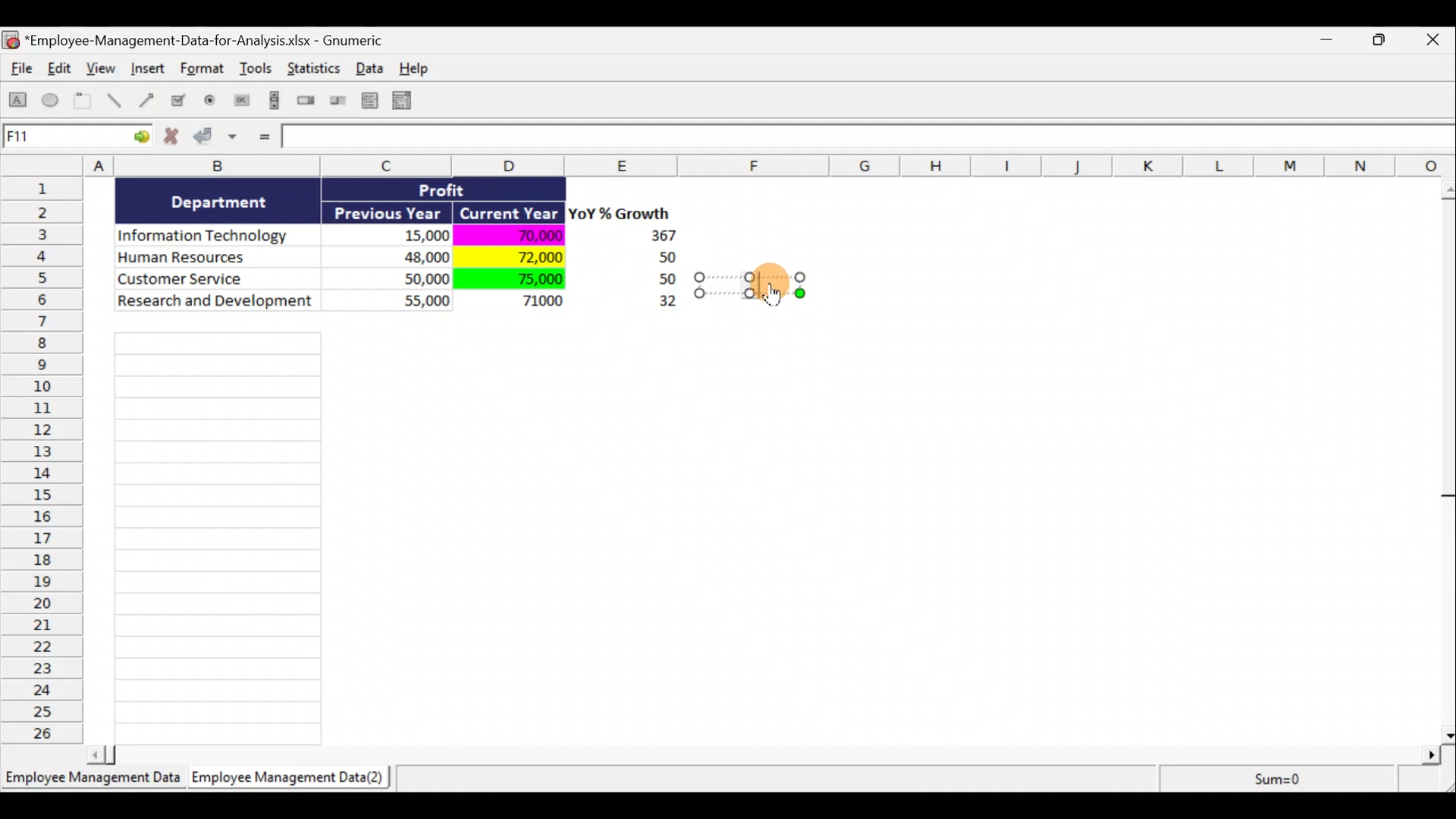  What do you see at coordinates (18, 71) in the screenshot?
I see `File` at bounding box center [18, 71].